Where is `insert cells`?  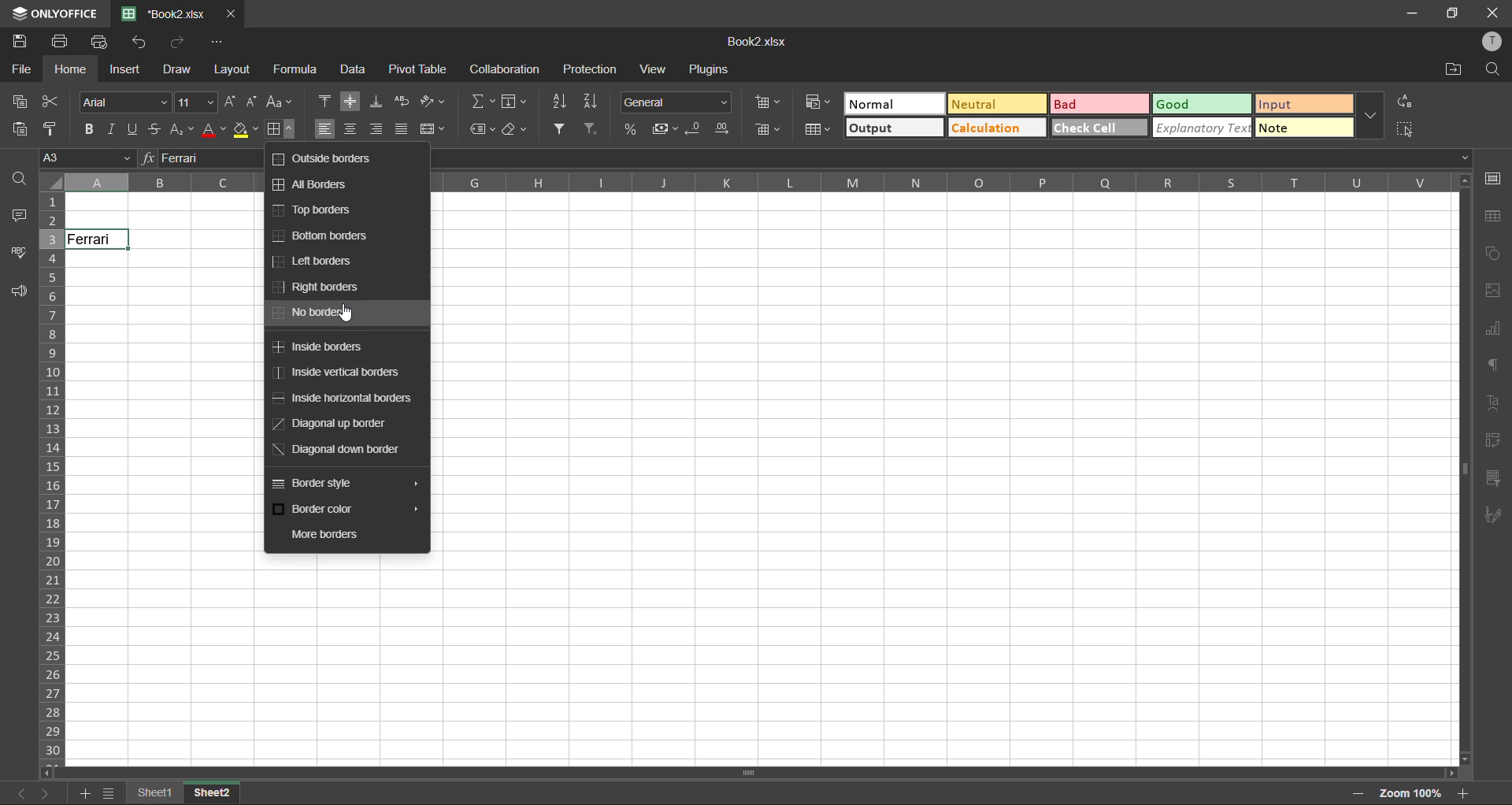
insert cells is located at coordinates (770, 105).